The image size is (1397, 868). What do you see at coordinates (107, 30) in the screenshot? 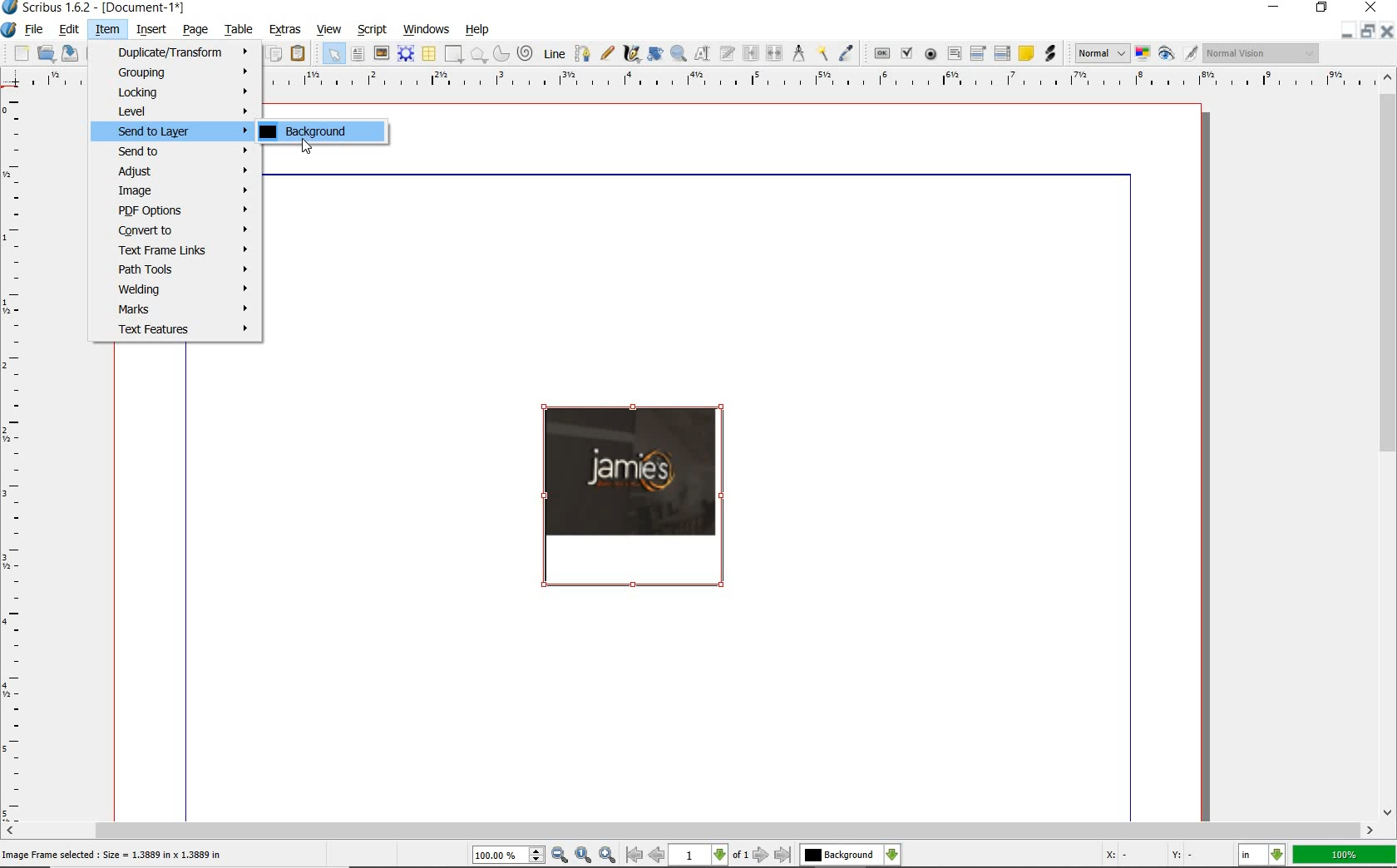
I see `item` at bounding box center [107, 30].